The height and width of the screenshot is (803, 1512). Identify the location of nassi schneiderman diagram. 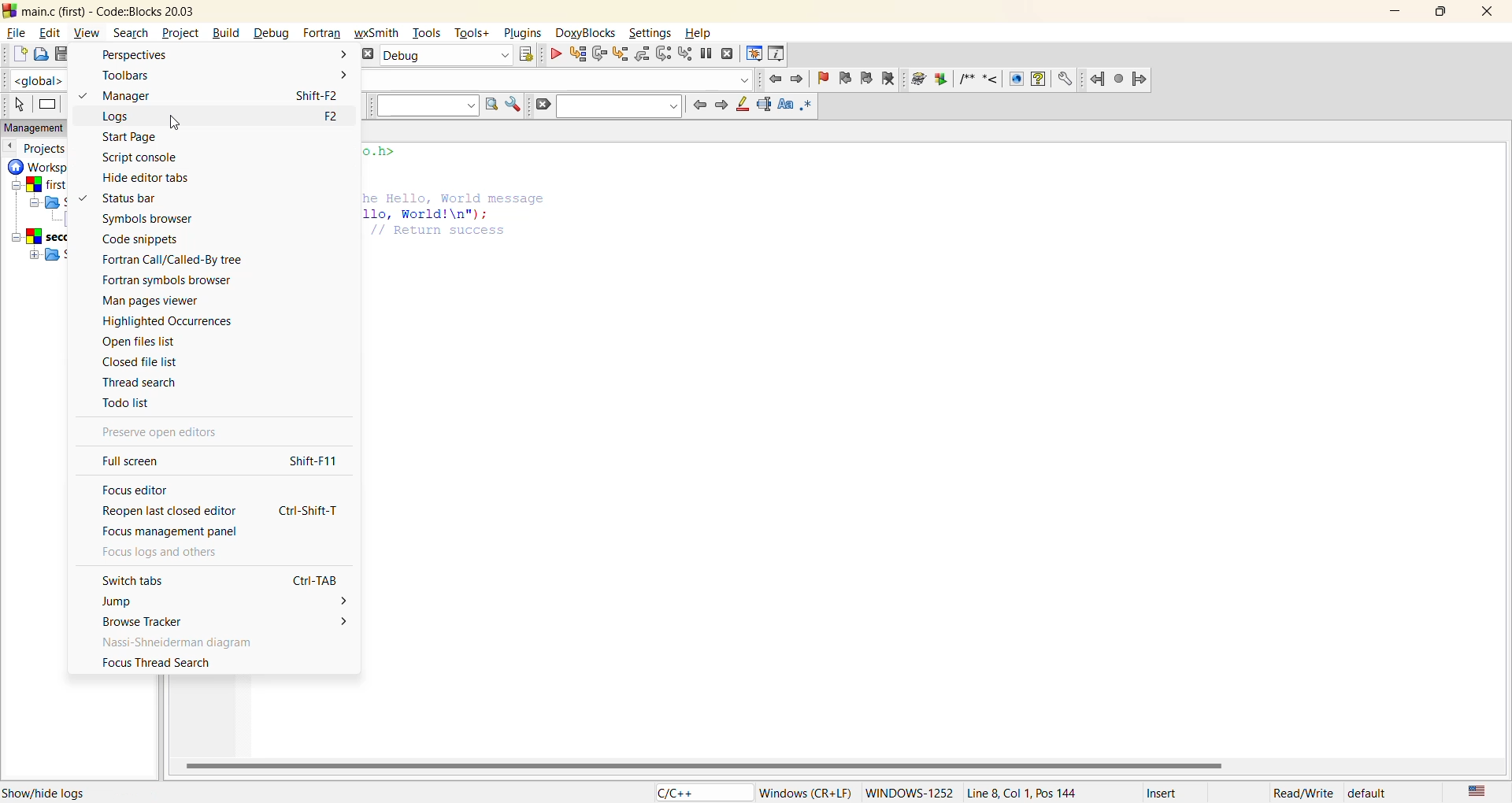
(204, 645).